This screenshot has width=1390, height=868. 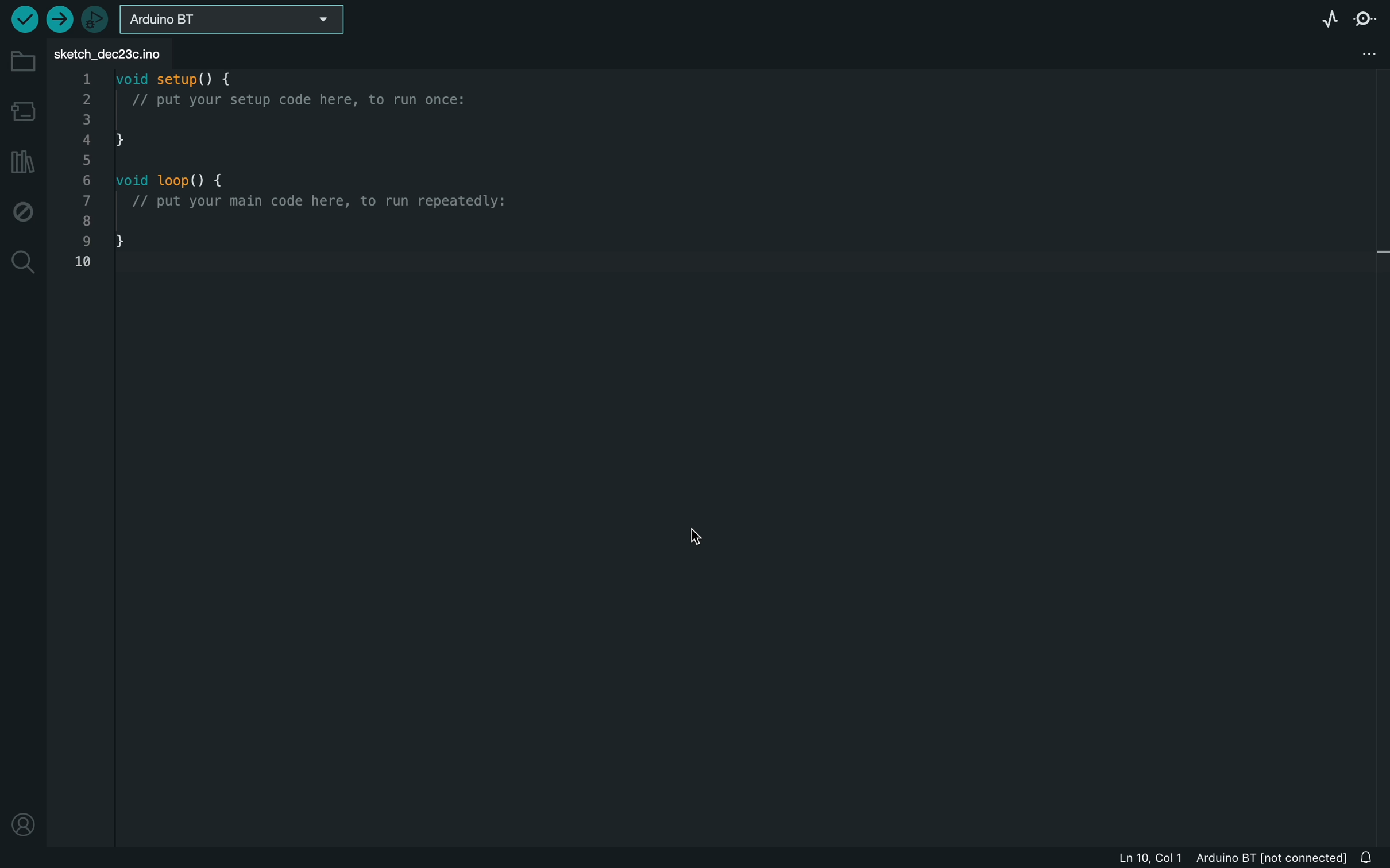 What do you see at coordinates (24, 160) in the screenshot?
I see `library manger` at bounding box center [24, 160].